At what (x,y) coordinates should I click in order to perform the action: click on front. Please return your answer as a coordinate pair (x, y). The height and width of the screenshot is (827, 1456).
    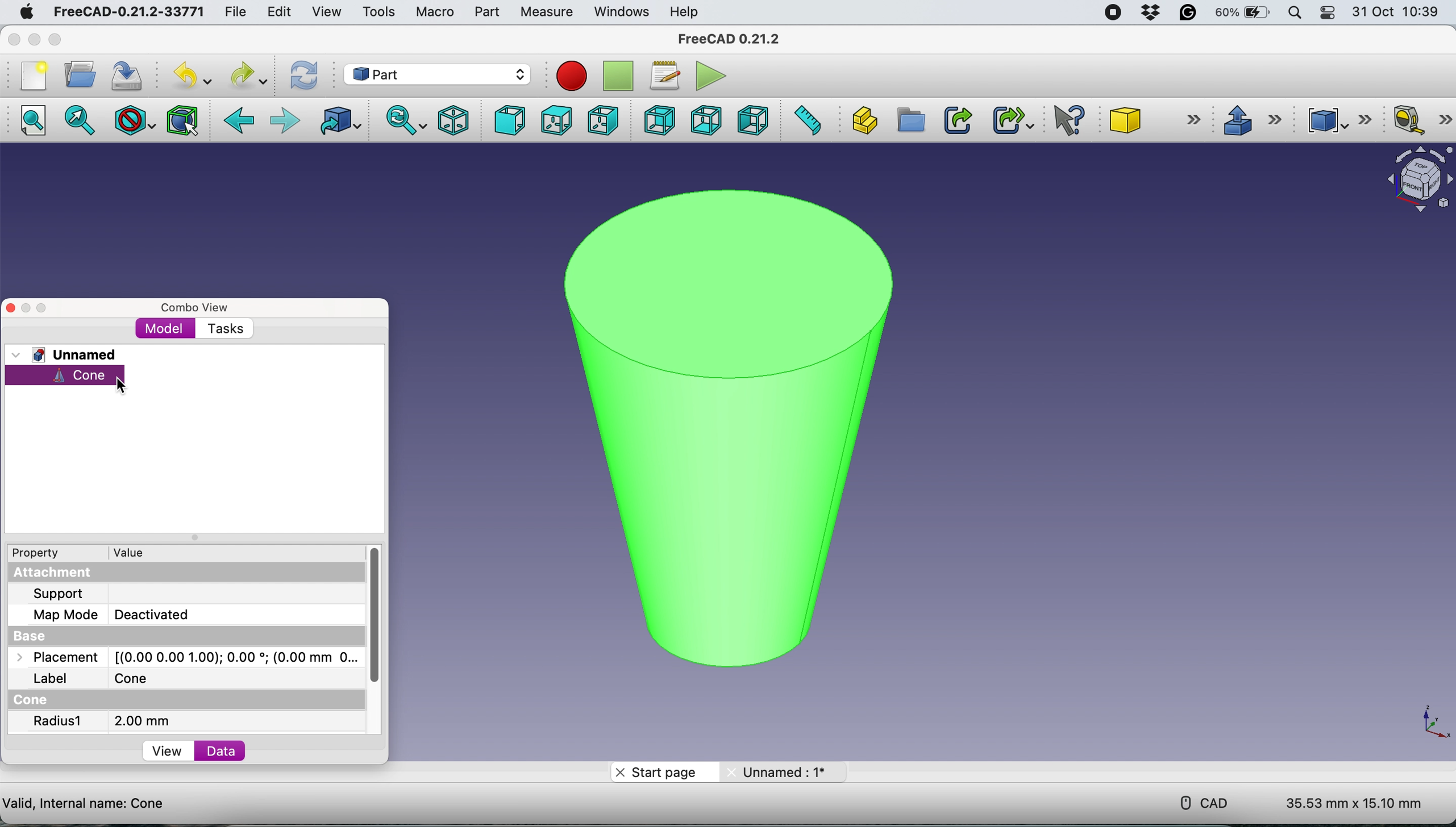
    Looking at the image, I should click on (507, 121).